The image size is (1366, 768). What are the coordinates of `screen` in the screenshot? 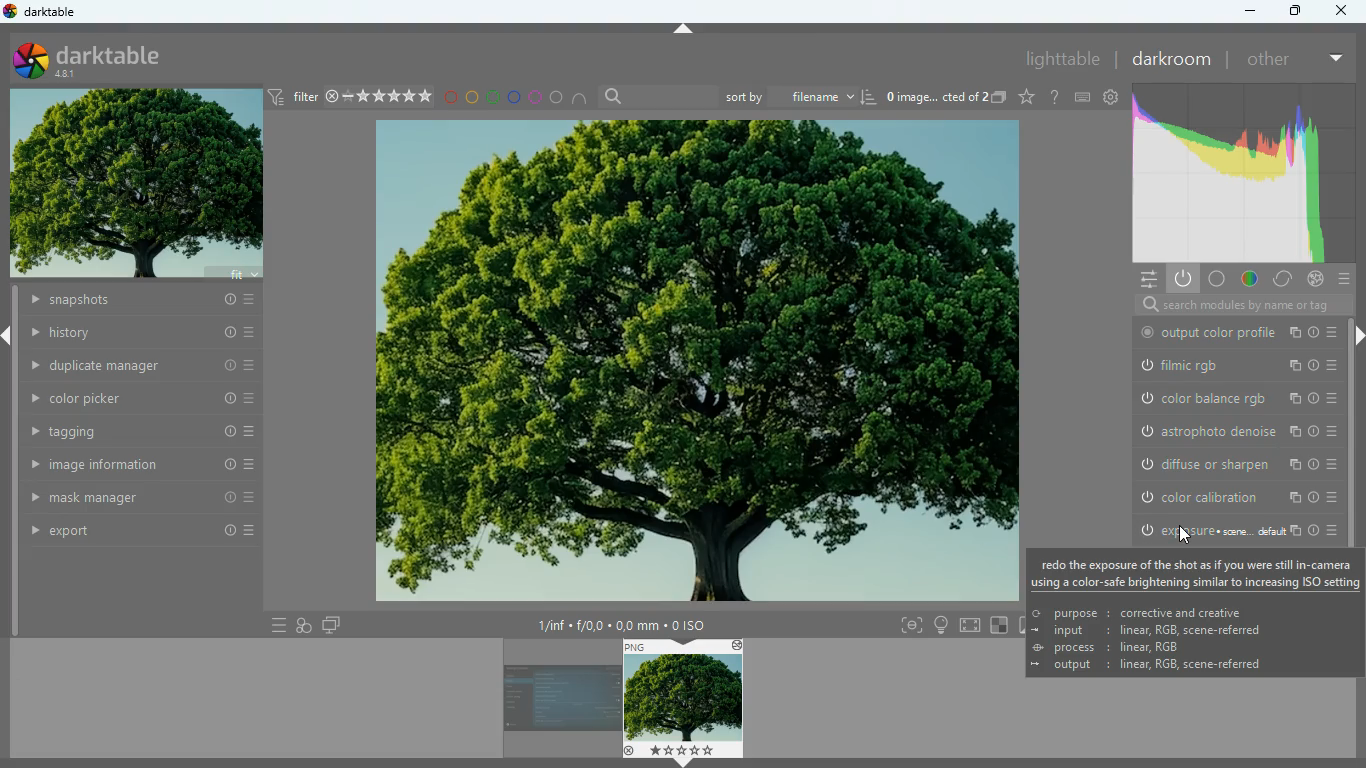 It's located at (971, 625).